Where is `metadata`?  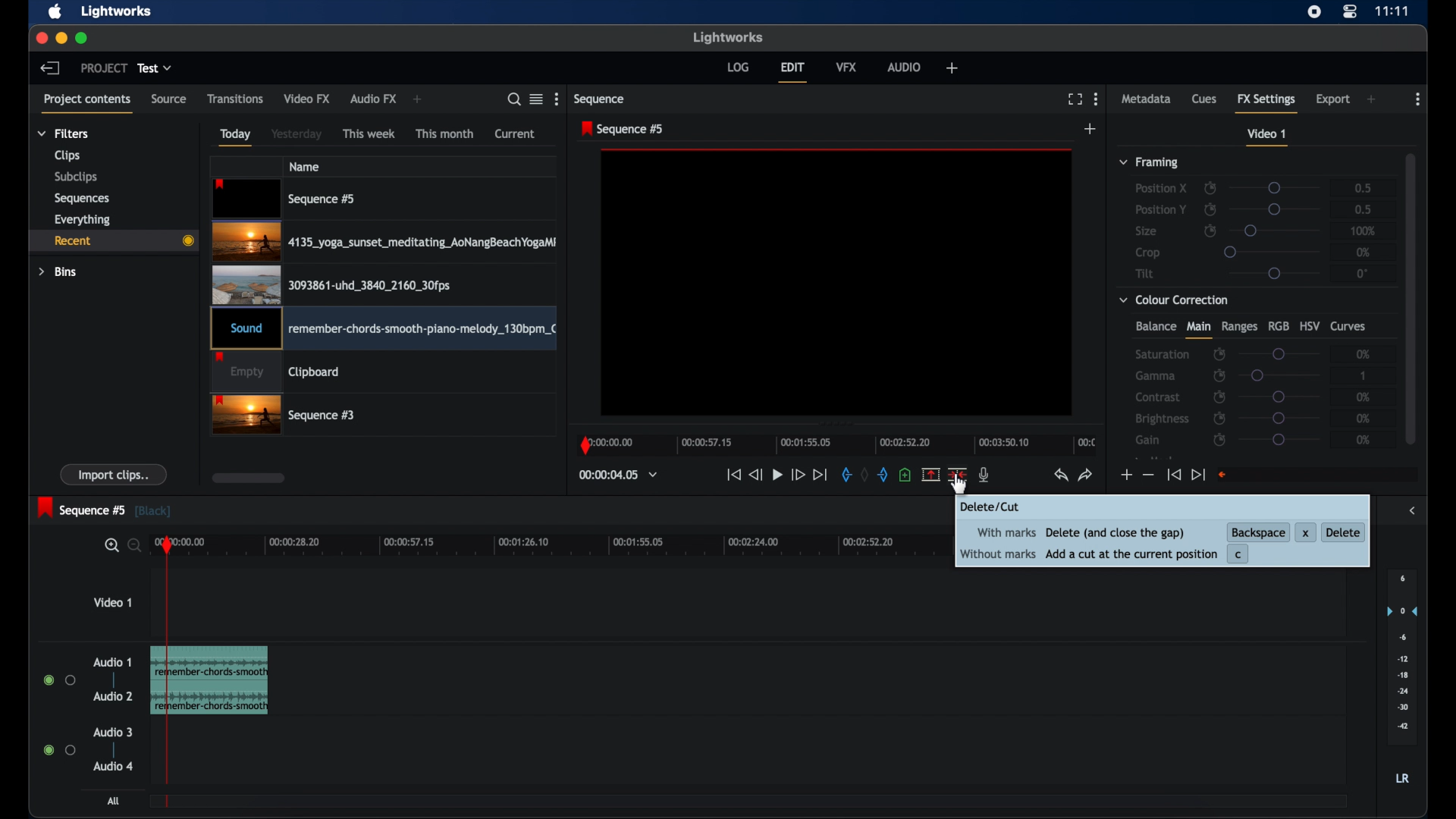
metadata is located at coordinates (1147, 98).